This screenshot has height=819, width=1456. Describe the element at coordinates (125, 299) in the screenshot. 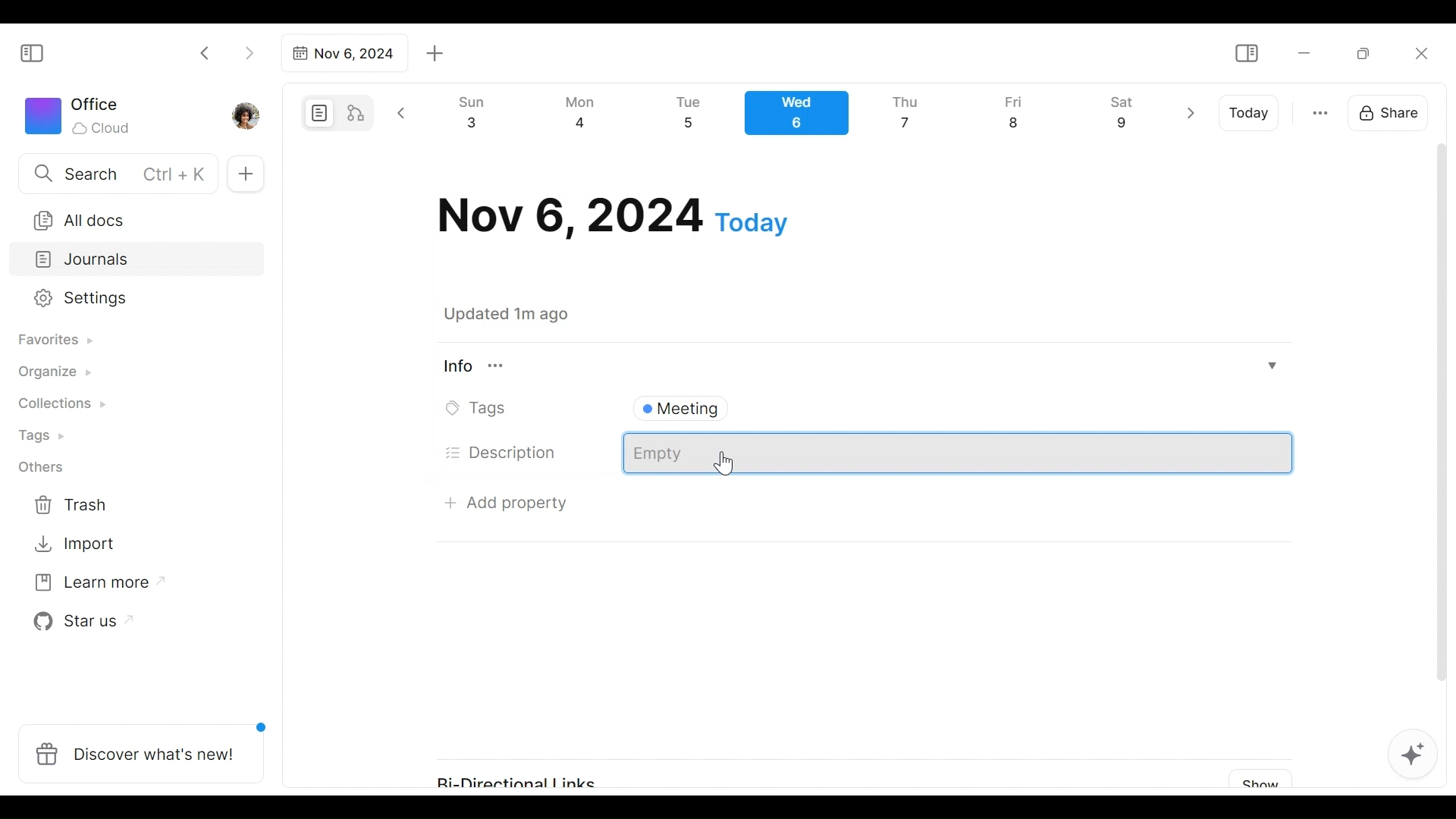

I see `Settings` at that location.